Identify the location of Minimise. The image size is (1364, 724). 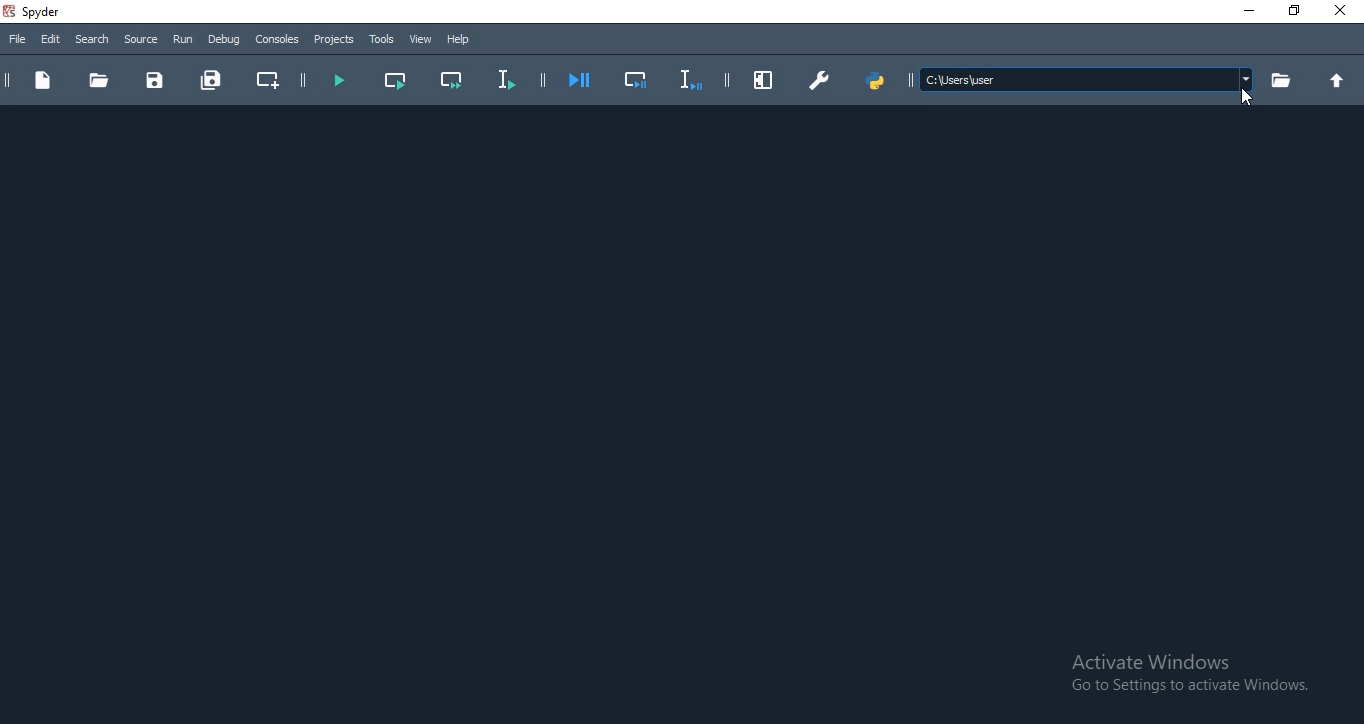
(1246, 11).